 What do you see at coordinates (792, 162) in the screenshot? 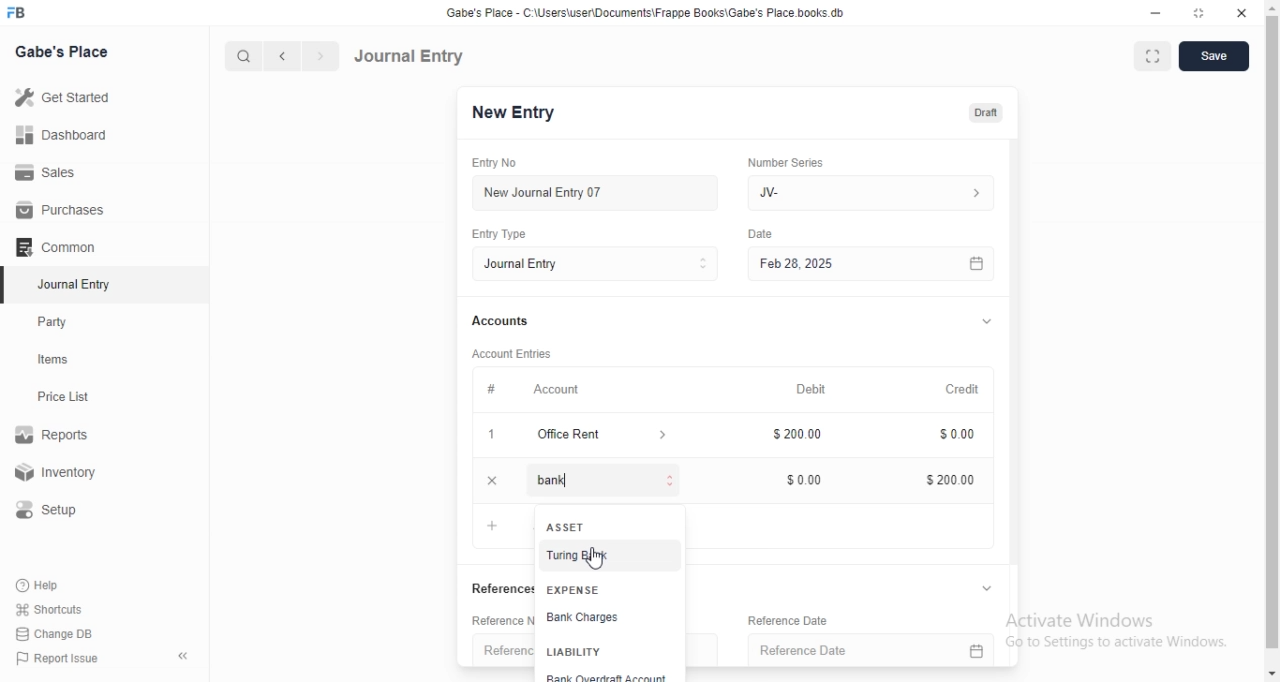
I see `‘Number Series` at bounding box center [792, 162].